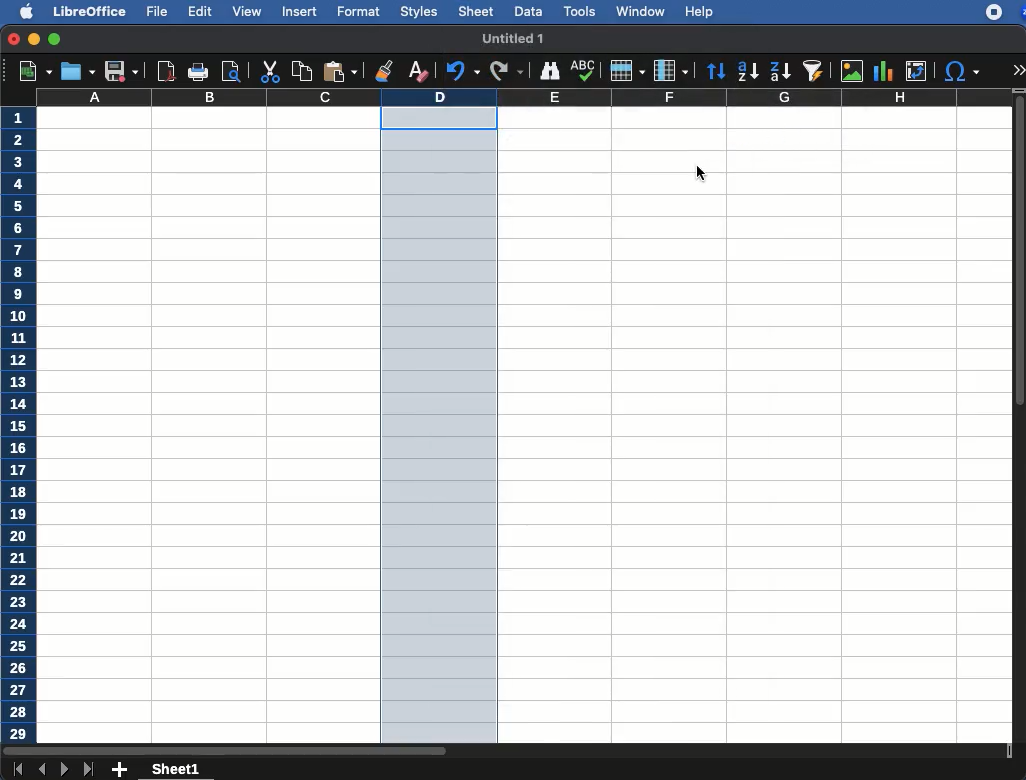  I want to click on special character, so click(962, 73).